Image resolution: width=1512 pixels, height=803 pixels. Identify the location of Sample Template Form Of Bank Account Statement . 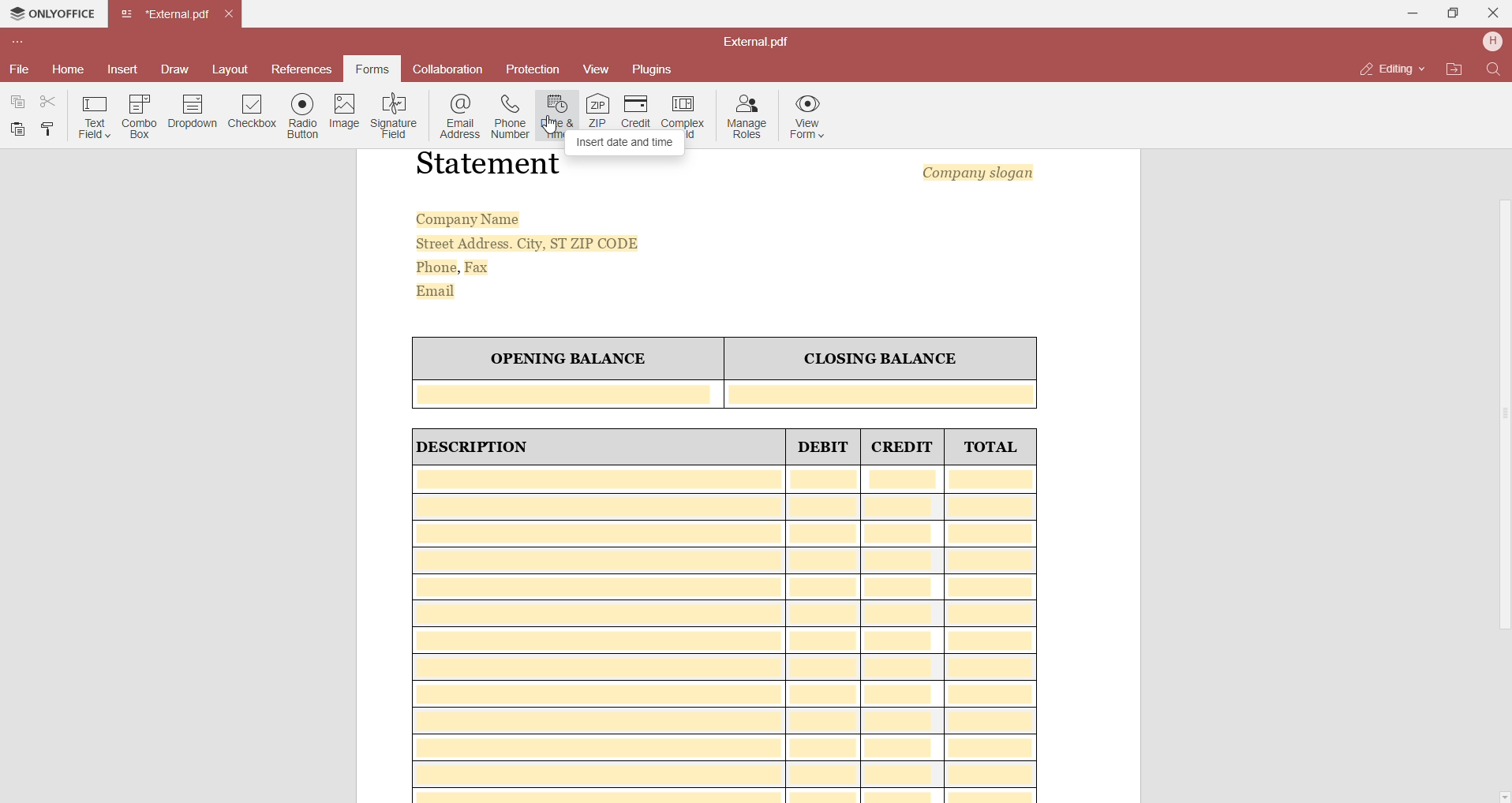
(751, 475).